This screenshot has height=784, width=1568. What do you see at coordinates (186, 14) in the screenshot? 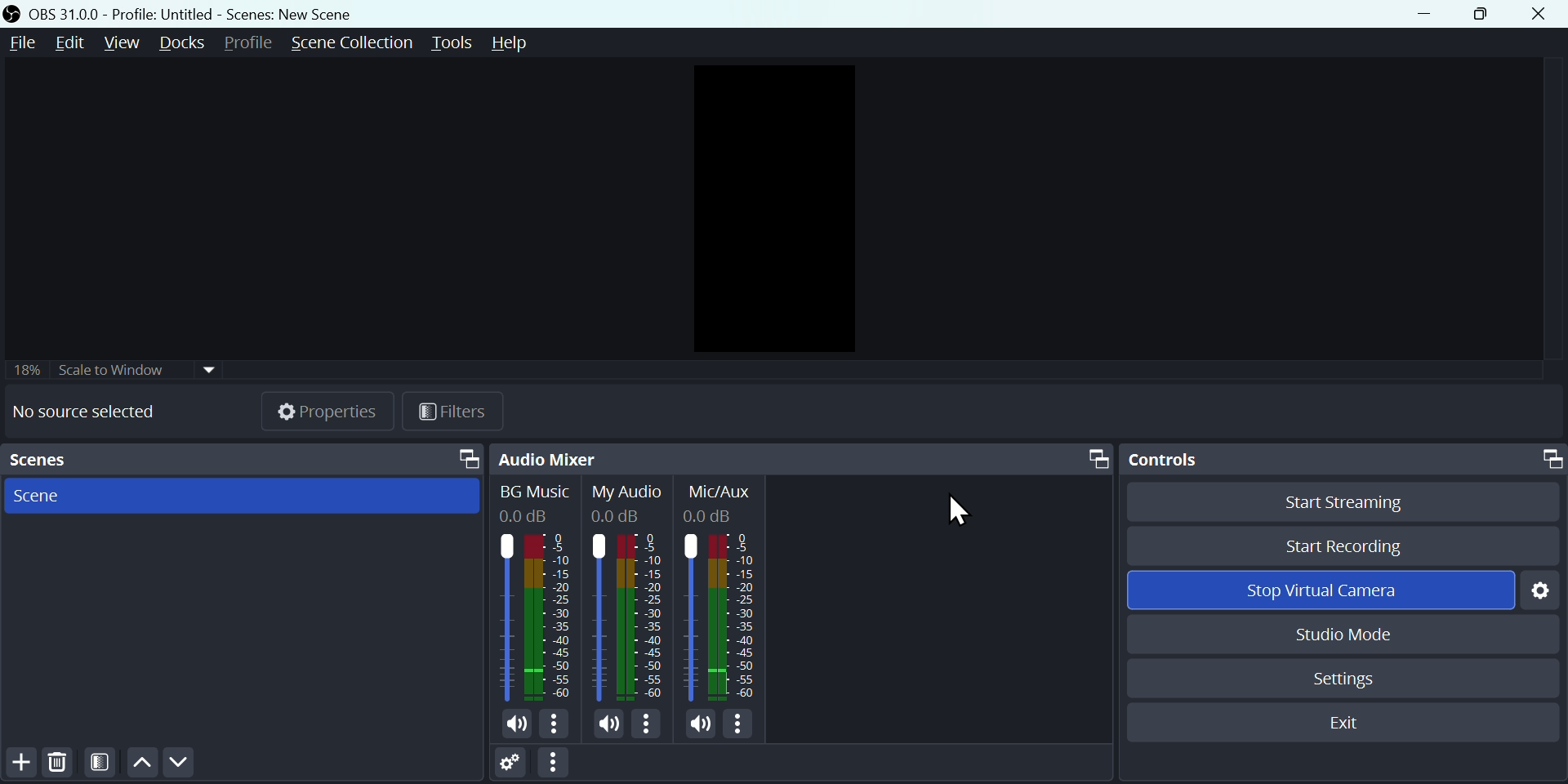
I see `OBS 31.0 .0 profile untitled scenes new scenes` at bounding box center [186, 14].